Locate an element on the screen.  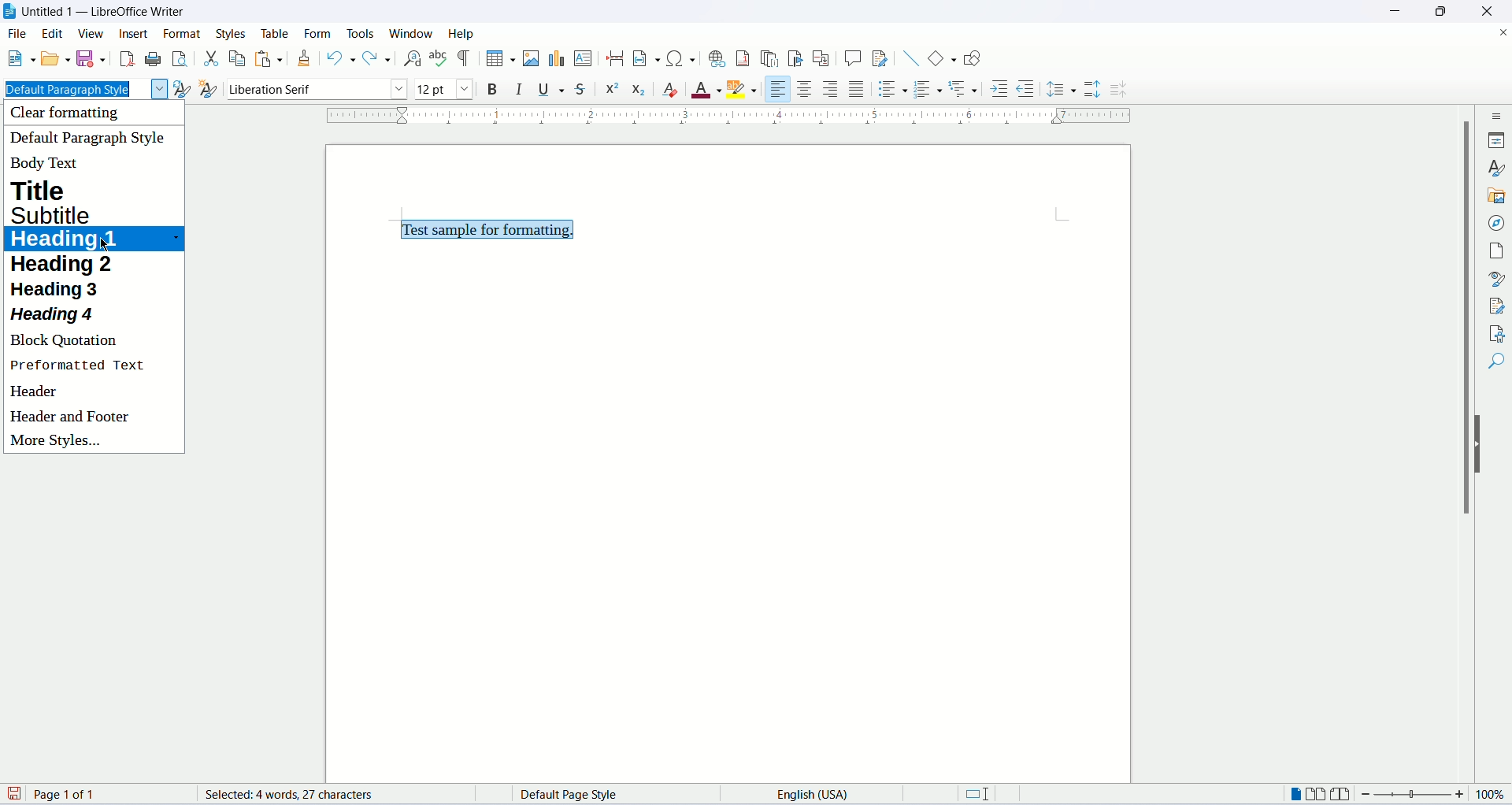
new style is located at coordinates (209, 90).